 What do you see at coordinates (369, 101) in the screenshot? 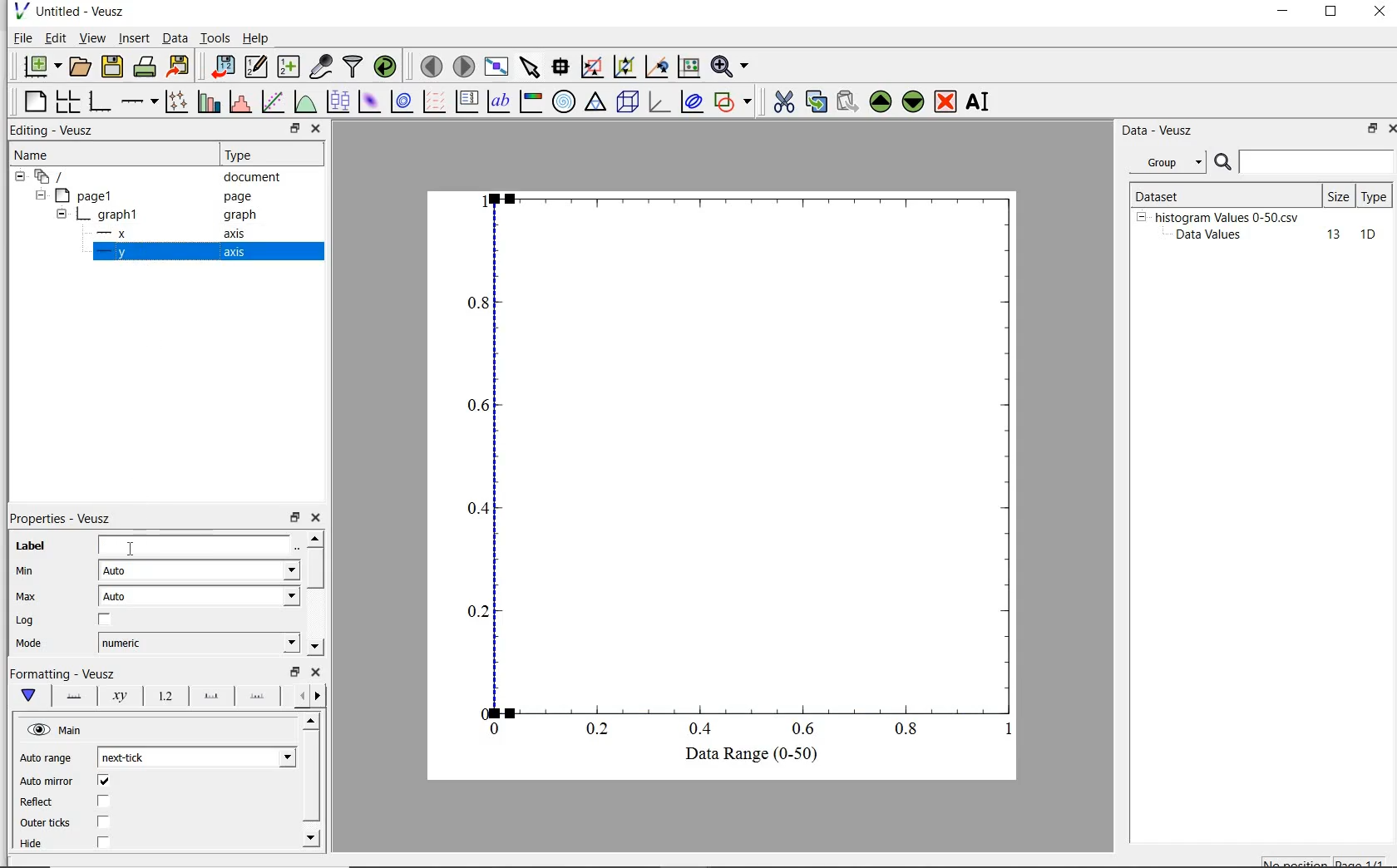
I see `plot 2d dataset as an image` at bounding box center [369, 101].